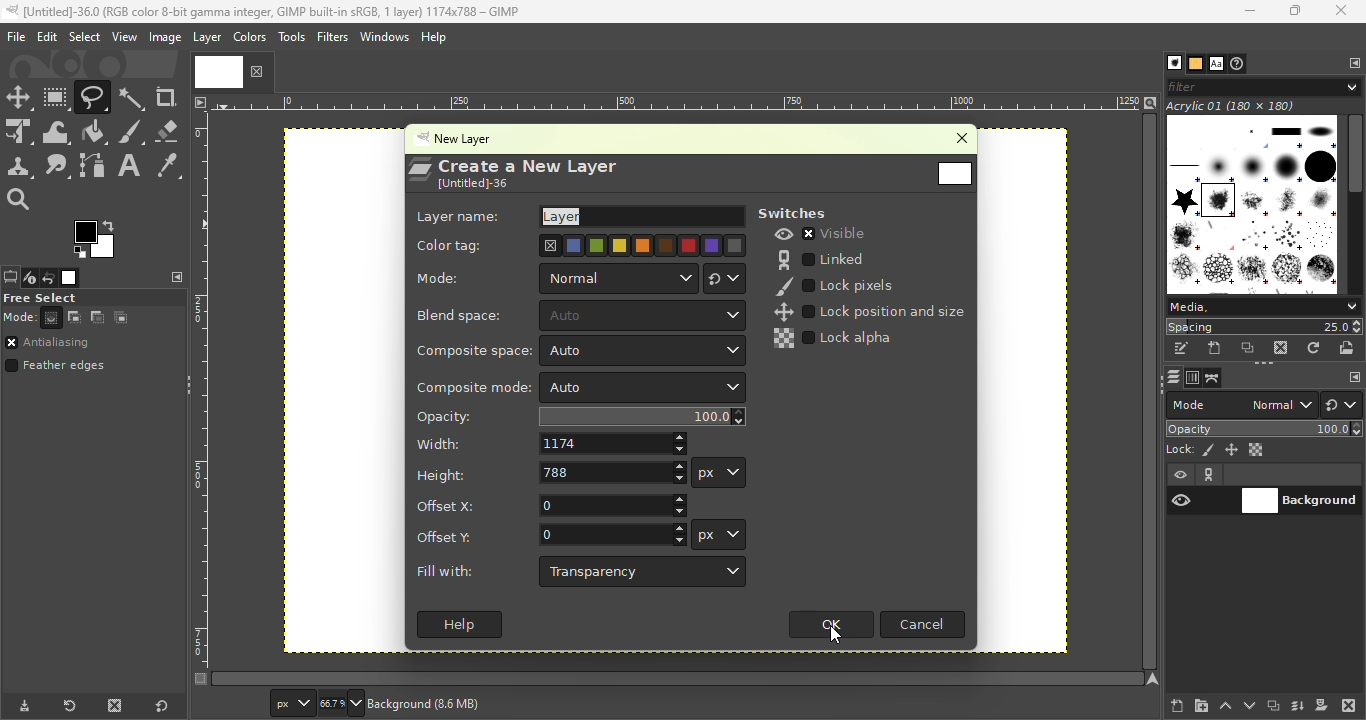  Describe the element at coordinates (169, 131) in the screenshot. I see `Eraser tool` at that location.